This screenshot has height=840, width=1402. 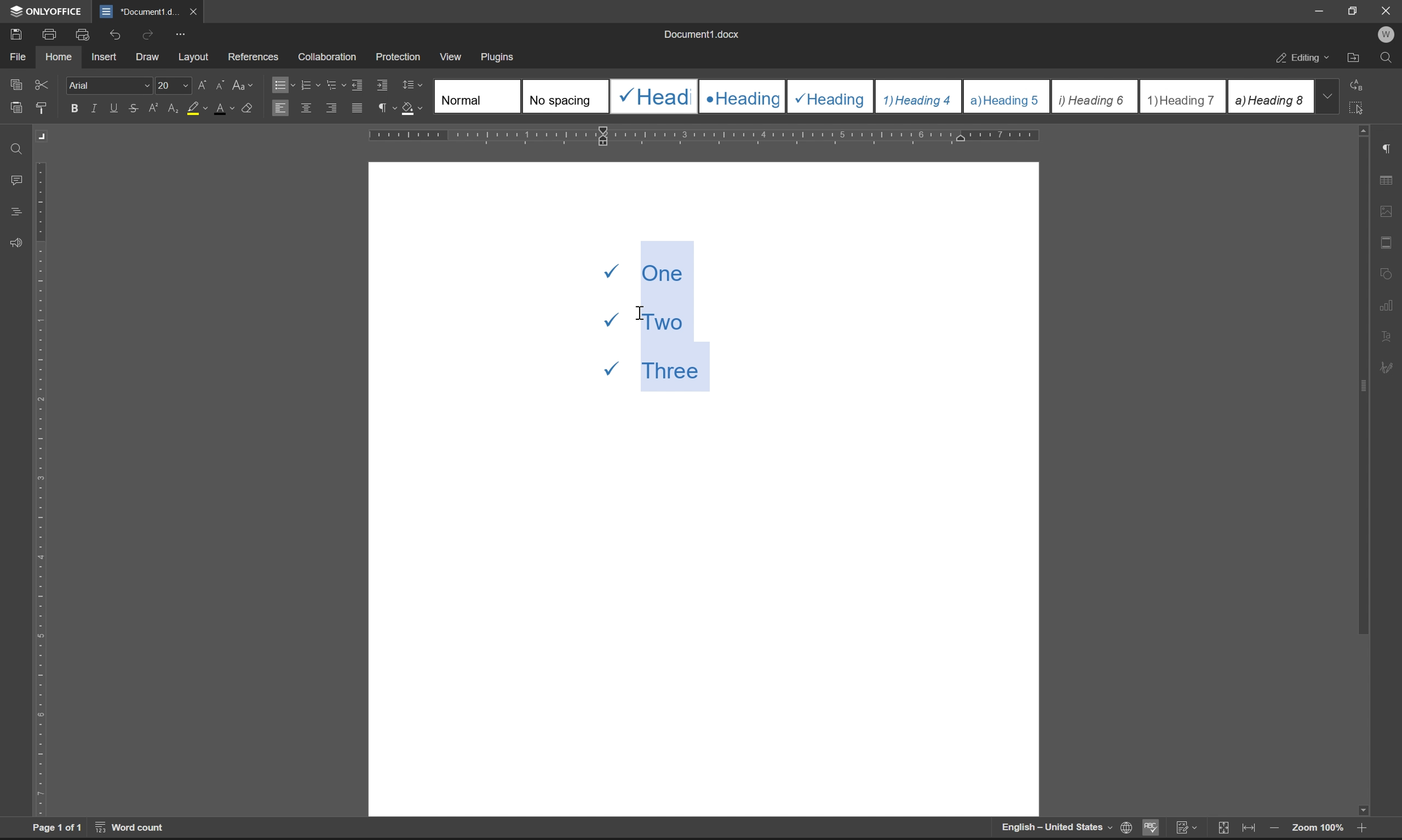 What do you see at coordinates (1354, 59) in the screenshot?
I see `open file location` at bounding box center [1354, 59].